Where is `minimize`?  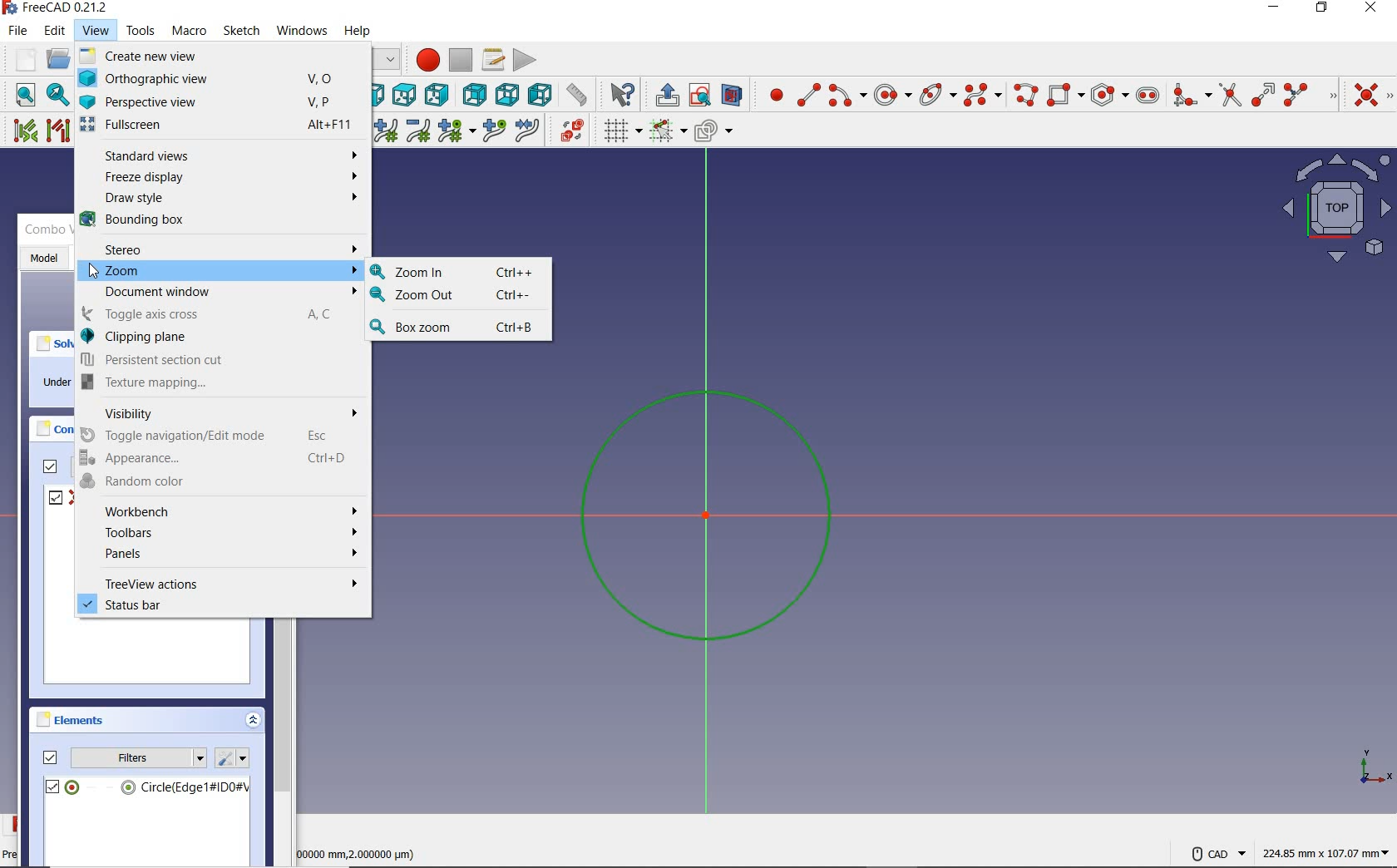 minimize is located at coordinates (1275, 9).